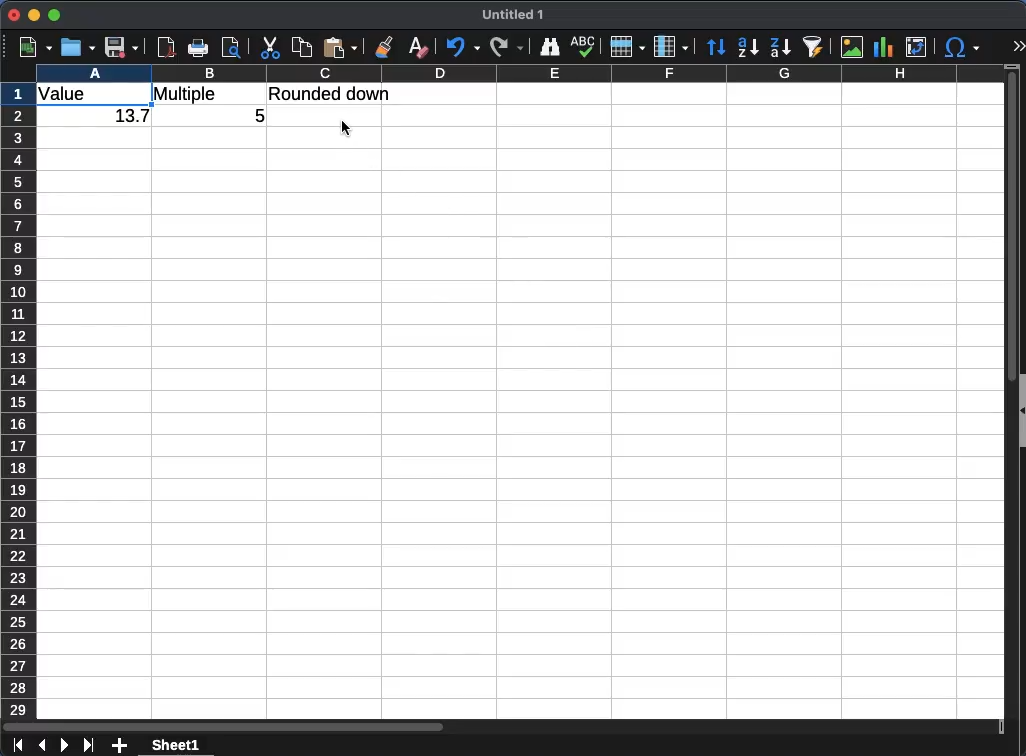 The height and width of the screenshot is (756, 1026). What do you see at coordinates (35, 47) in the screenshot?
I see `new` at bounding box center [35, 47].